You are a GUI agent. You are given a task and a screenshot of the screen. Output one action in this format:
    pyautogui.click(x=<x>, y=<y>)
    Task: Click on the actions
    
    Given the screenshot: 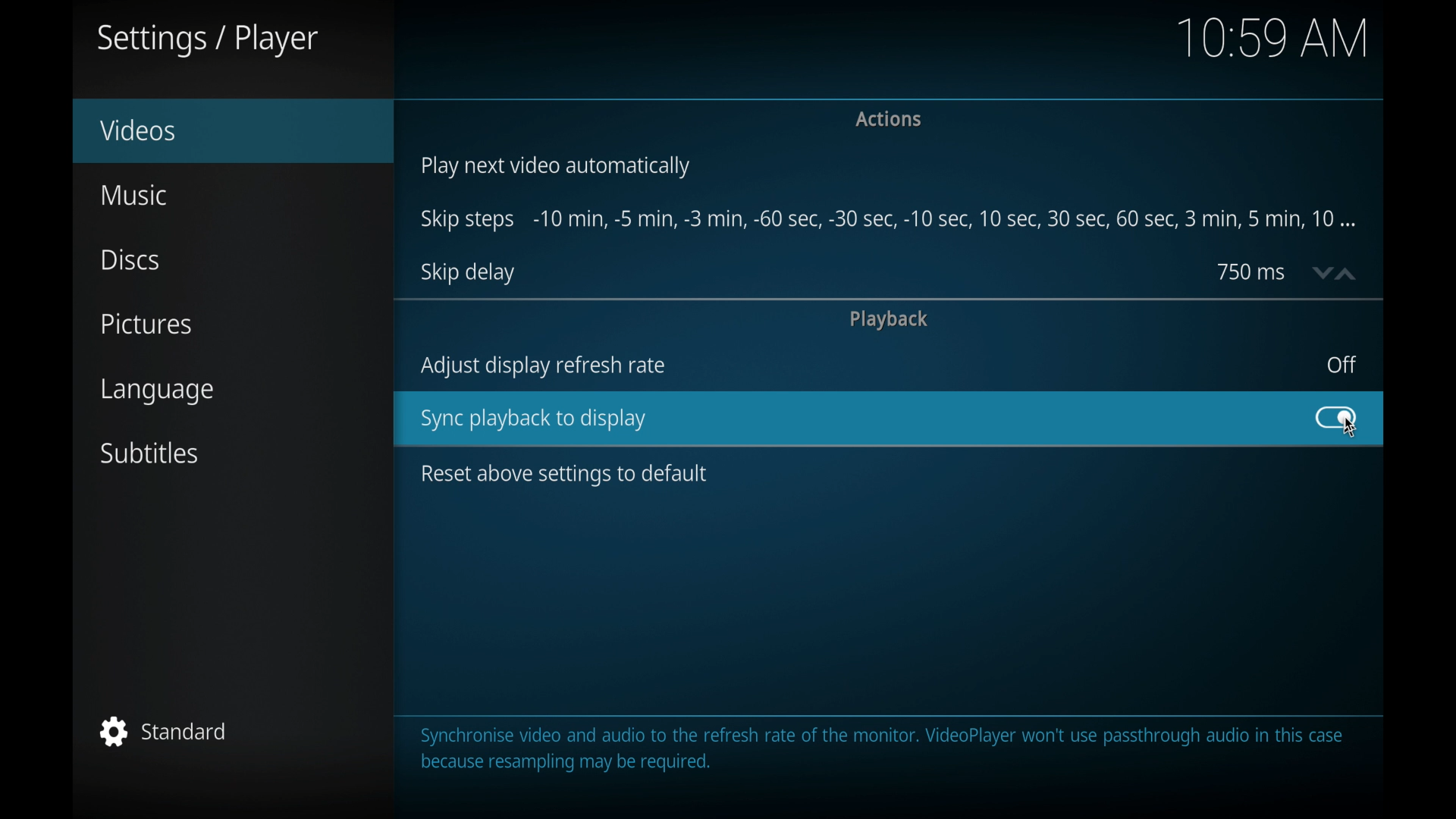 What is the action you would take?
    pyautogui.click(x=889, y=120)
    